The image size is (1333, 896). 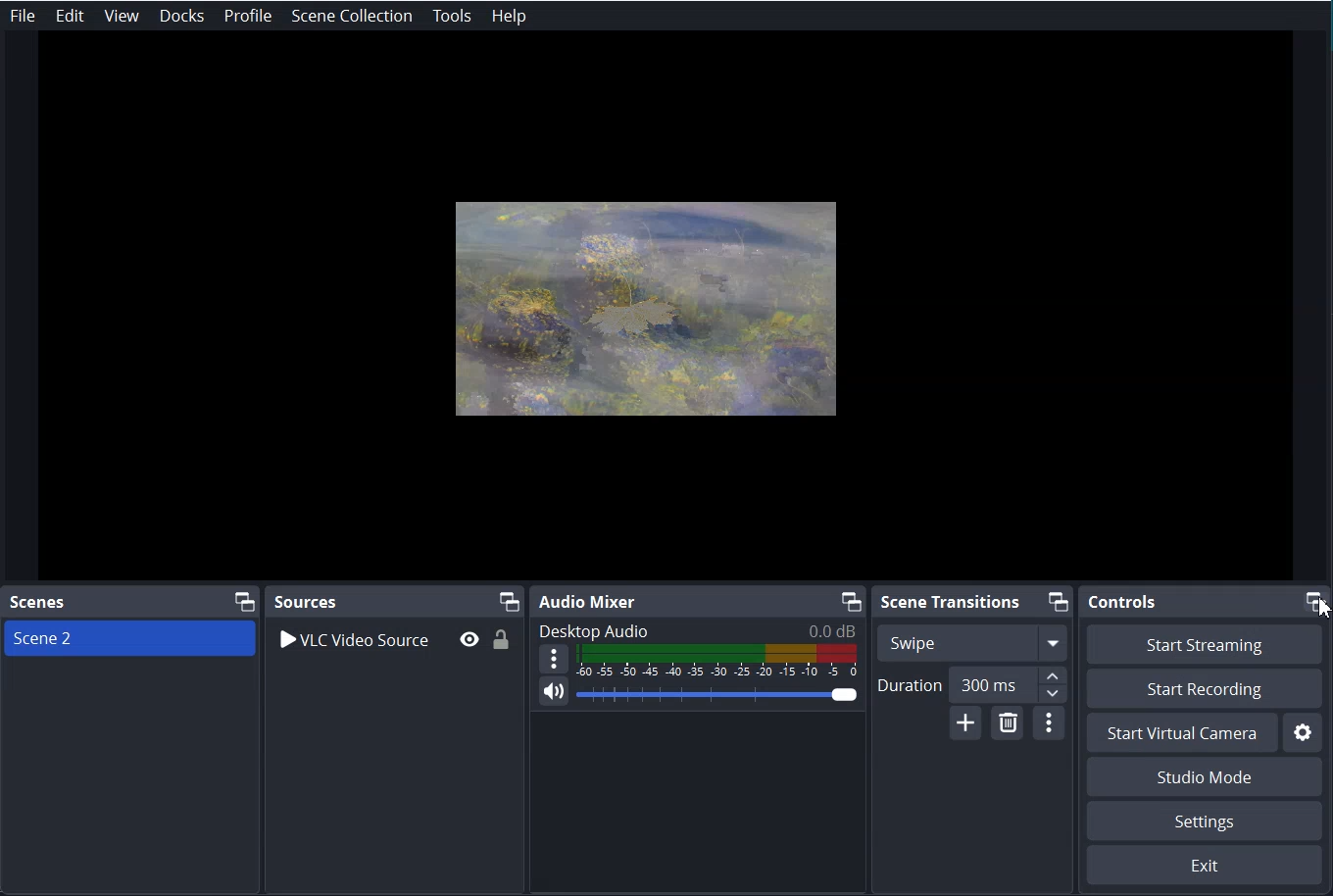 I want to click on Eye, so click(x=469, y=637).